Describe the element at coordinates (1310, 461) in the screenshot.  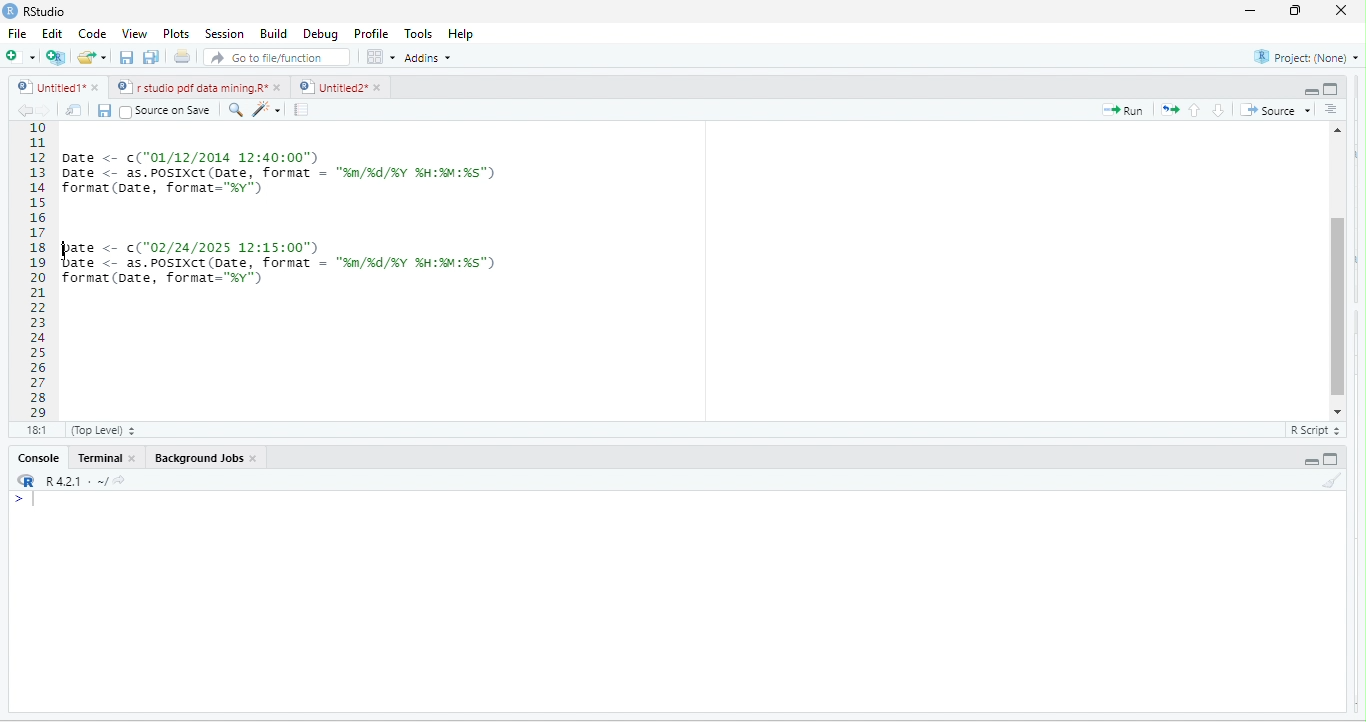
I see `hide r script` at that location.